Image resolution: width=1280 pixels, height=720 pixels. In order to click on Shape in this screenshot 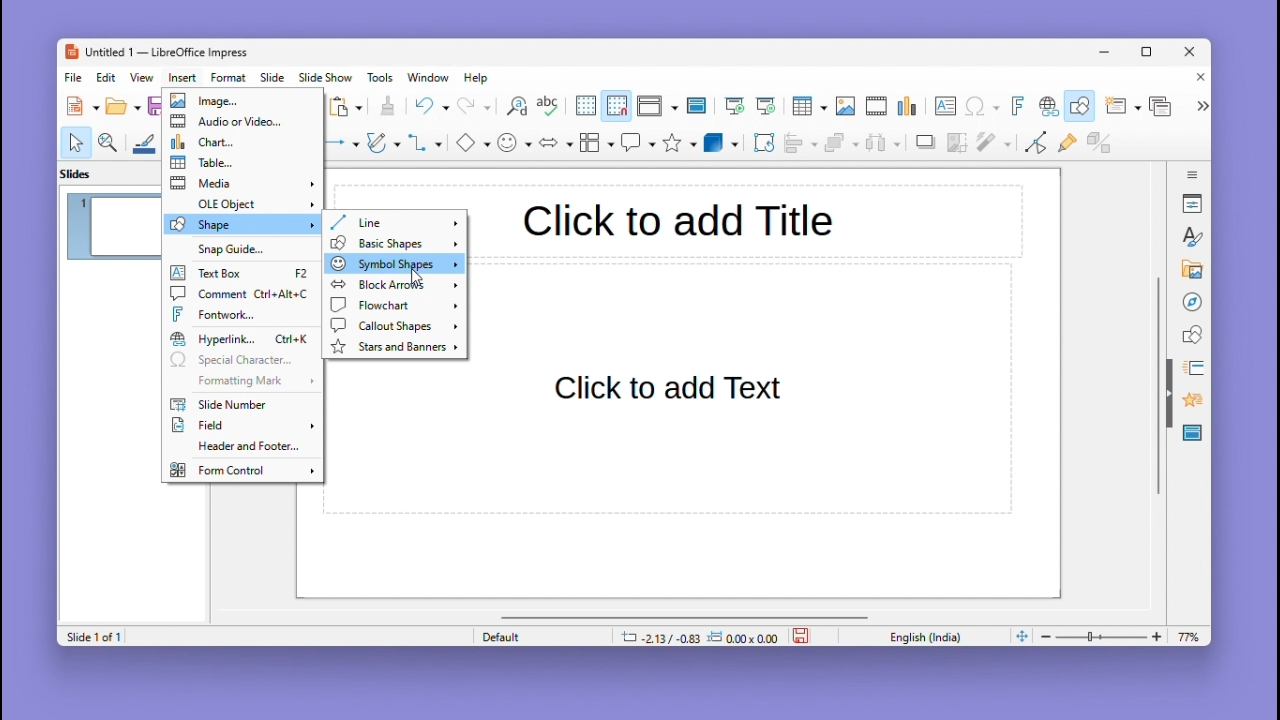, I will do `click(242, 224)`.